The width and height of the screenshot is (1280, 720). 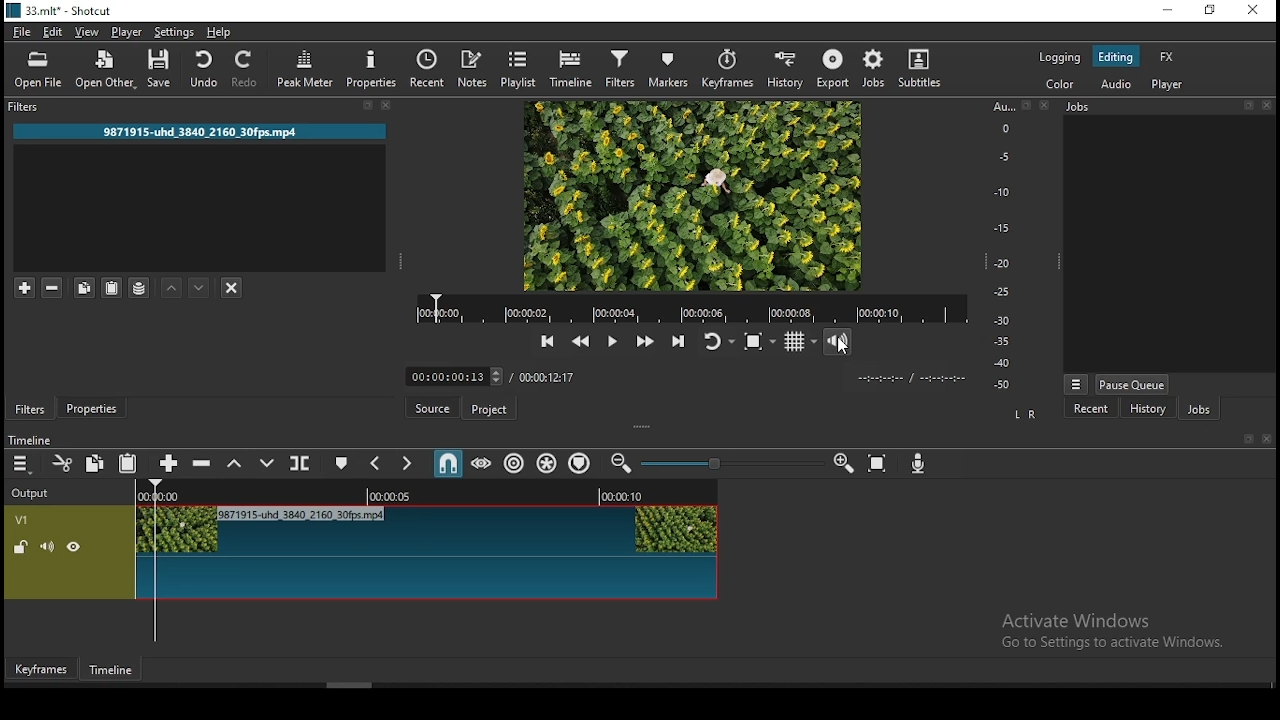 What do you see at coordinates (369, 67) in the screenshot?
I see `properties` at bounding box center [369, 67].